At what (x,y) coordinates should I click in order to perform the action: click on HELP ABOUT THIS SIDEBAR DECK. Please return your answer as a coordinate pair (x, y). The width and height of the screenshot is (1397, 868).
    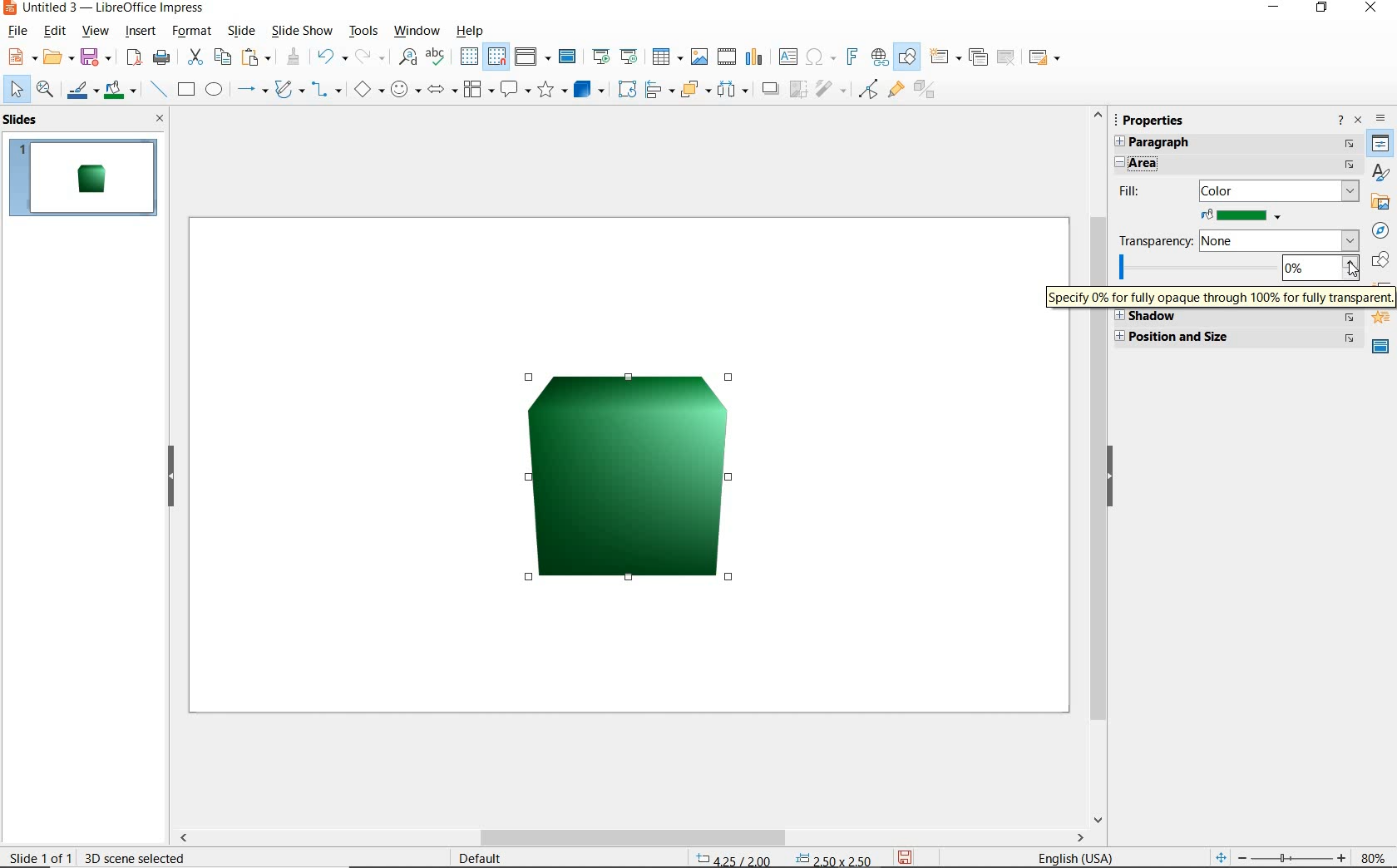
    Looking at the image, I should click on (1341, 121).